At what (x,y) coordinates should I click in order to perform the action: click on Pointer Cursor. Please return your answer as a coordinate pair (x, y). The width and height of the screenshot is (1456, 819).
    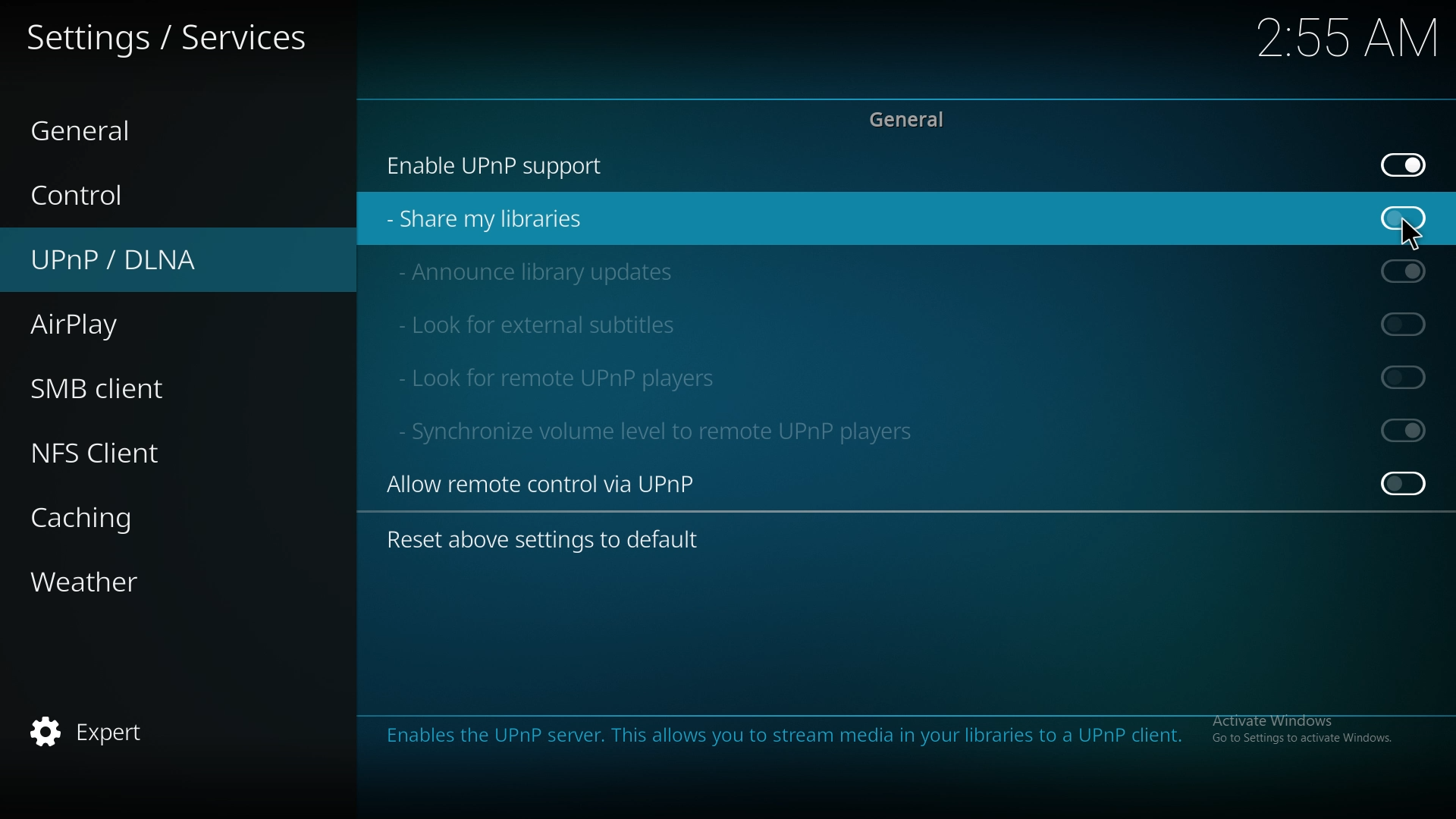
    Looking at the image, I should click on (1410, 231).